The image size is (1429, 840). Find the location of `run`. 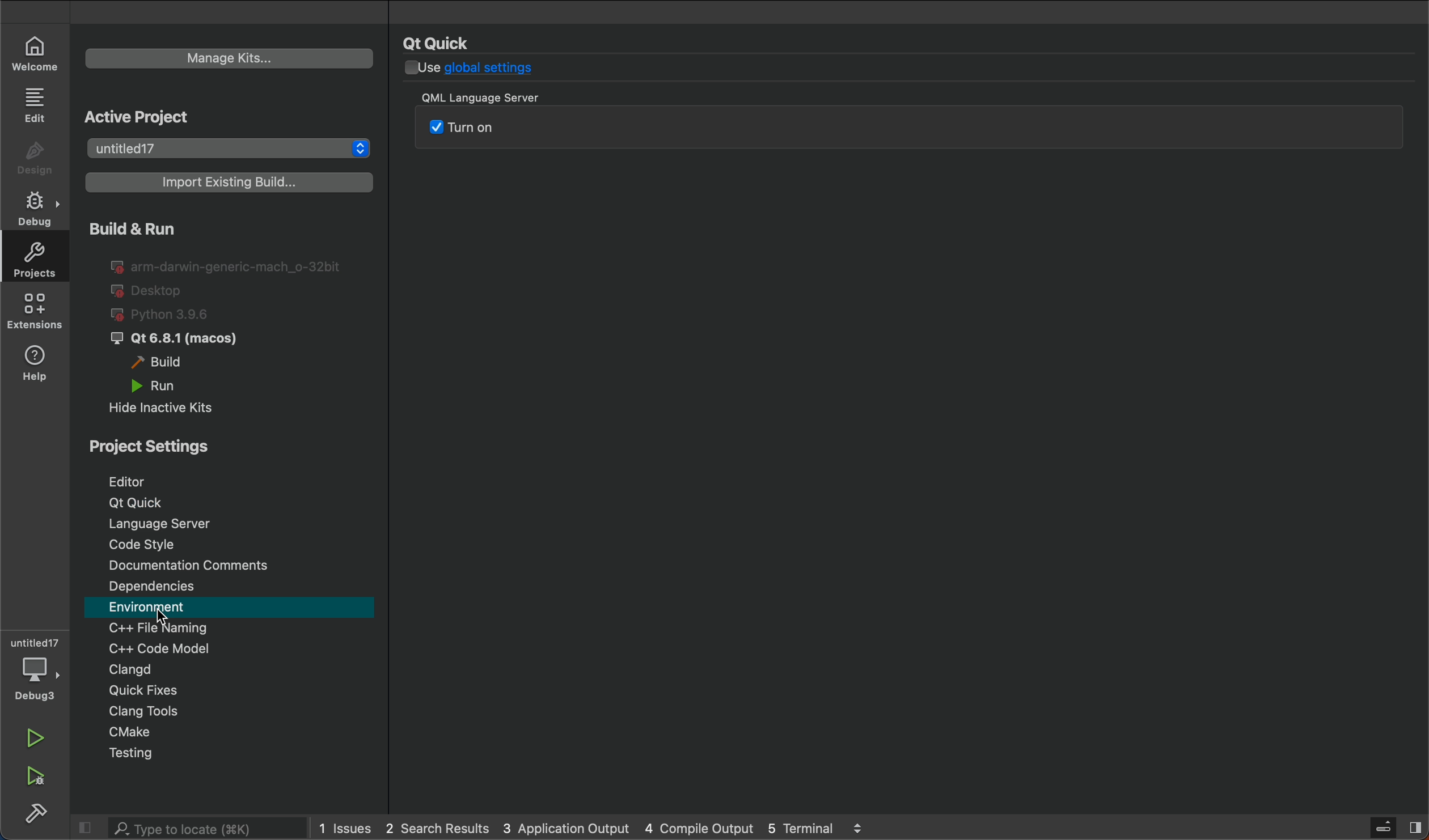

run is located at coordinates (174, 385).